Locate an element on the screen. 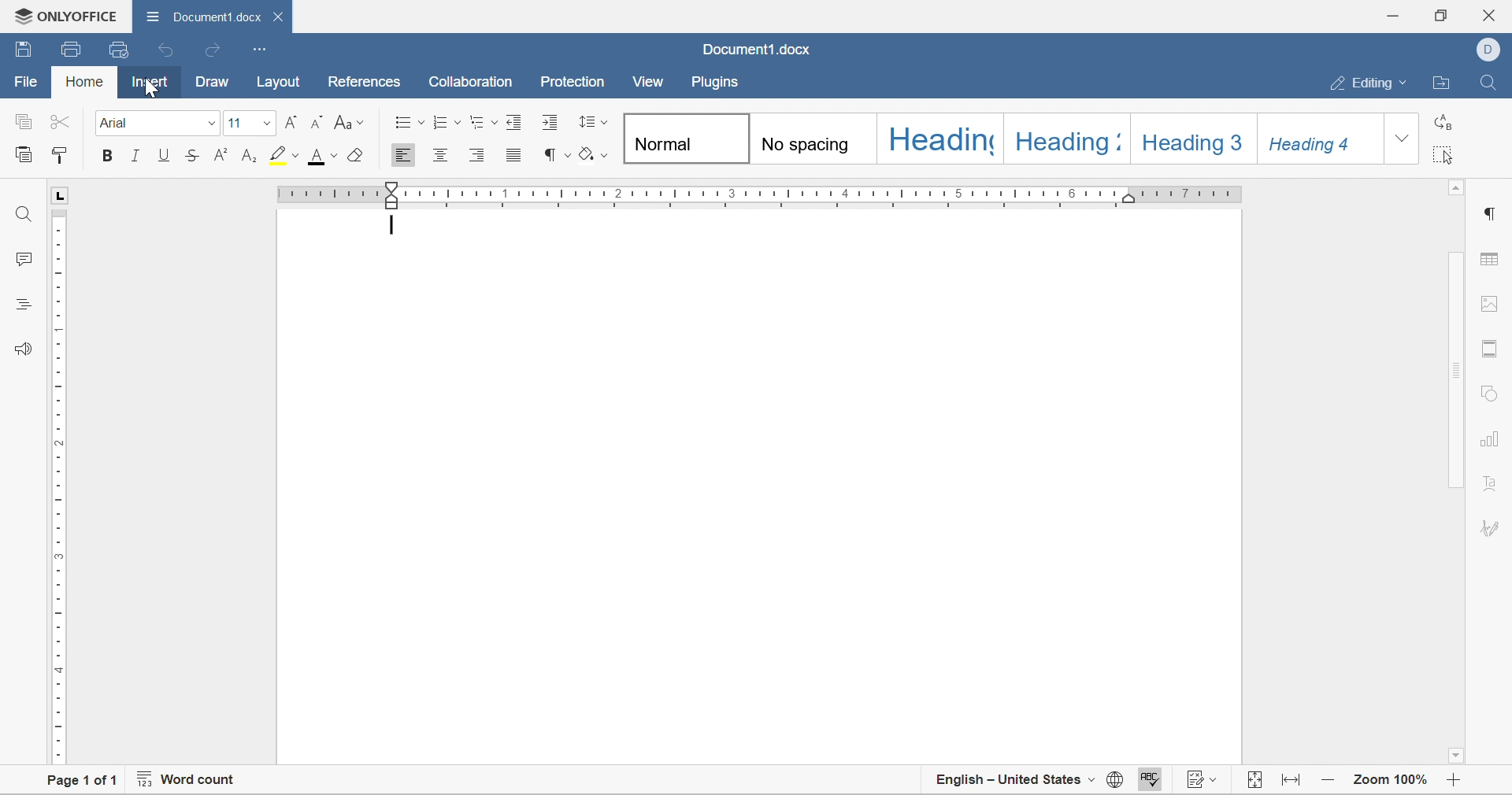  Strikethrough is located at coordinates (191, 156).